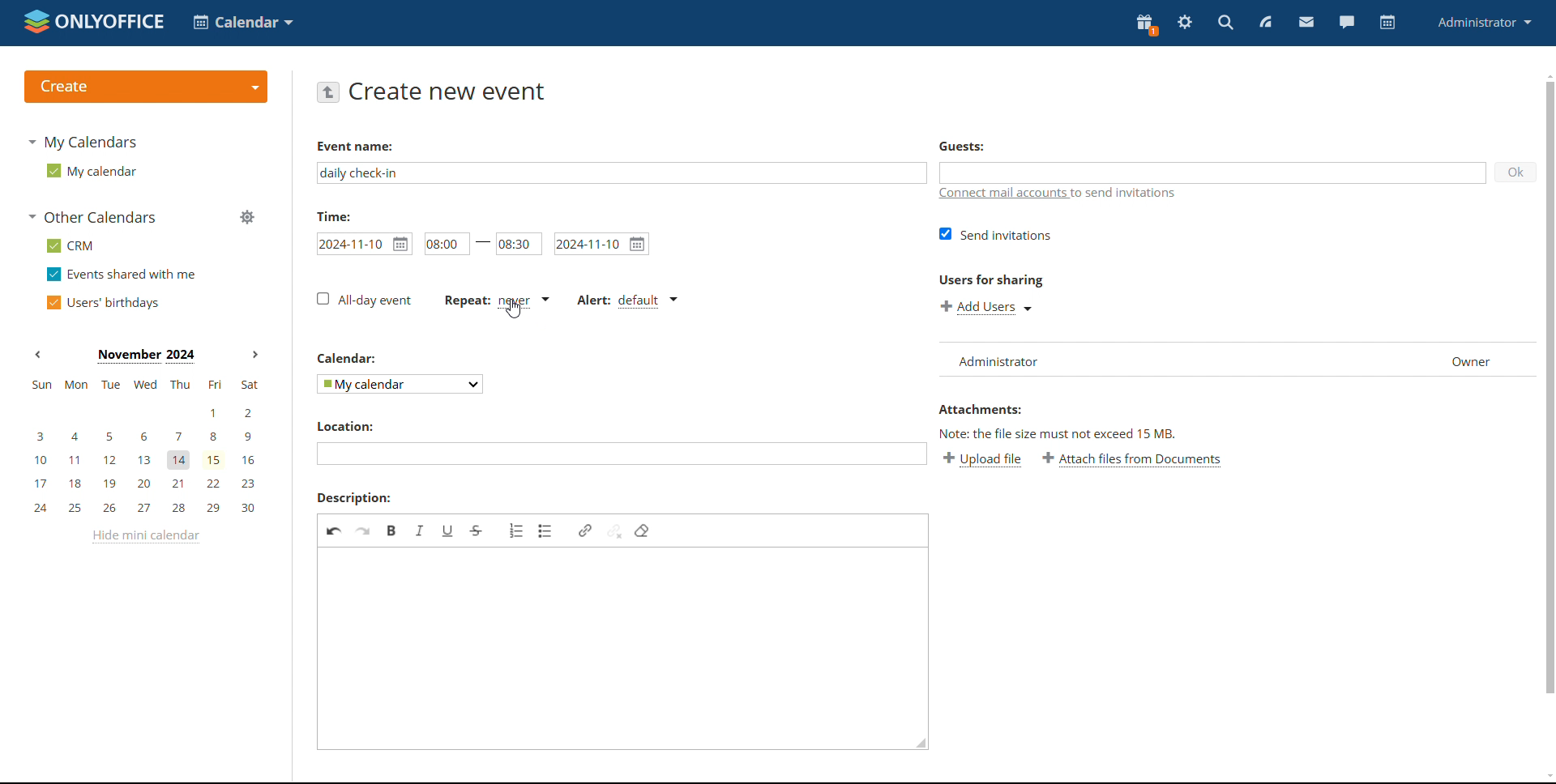  I want to click on current month, so click(144, 355).